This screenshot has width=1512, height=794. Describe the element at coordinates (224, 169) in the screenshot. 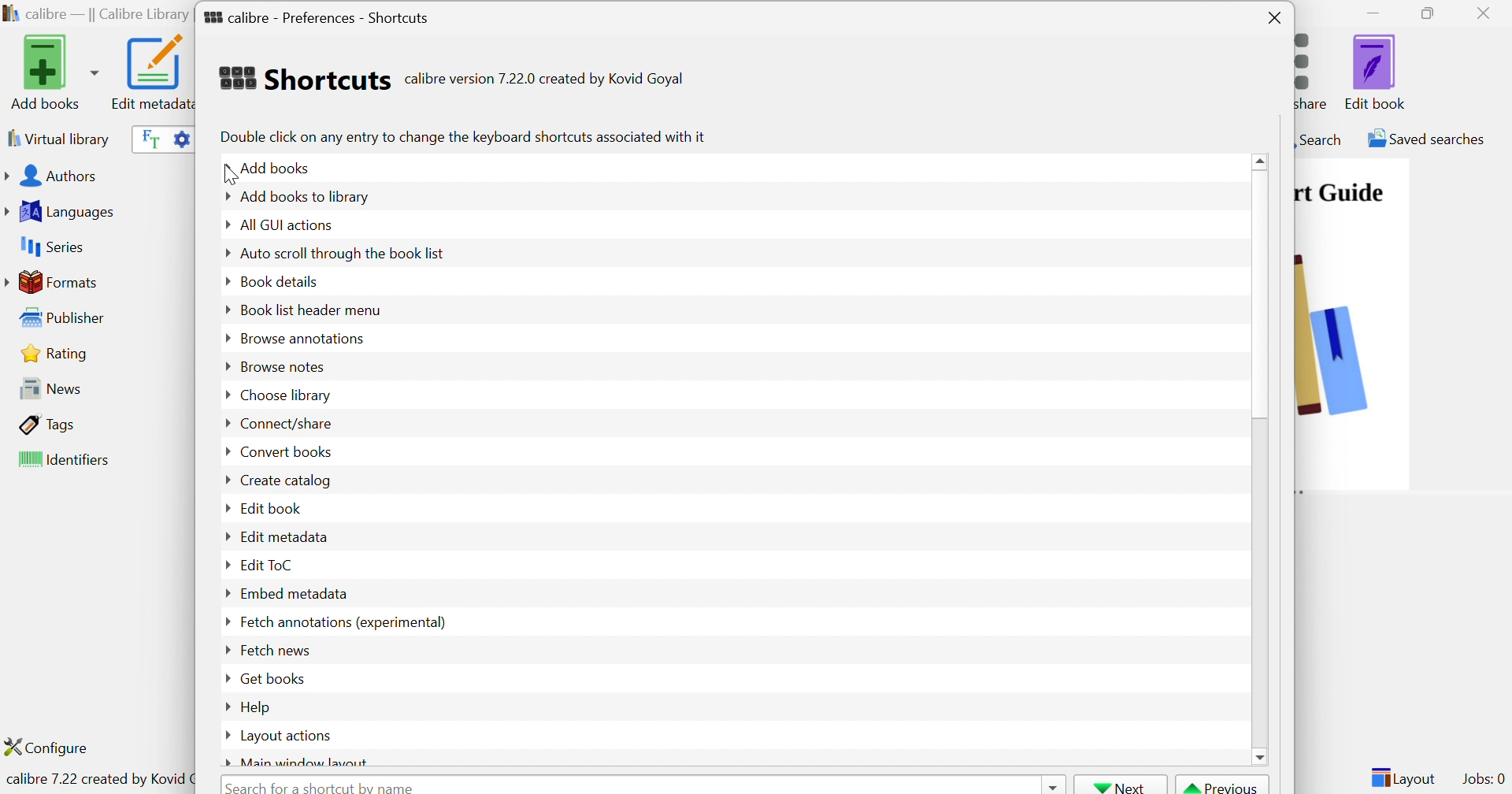

I see `Drop Down` at that location.